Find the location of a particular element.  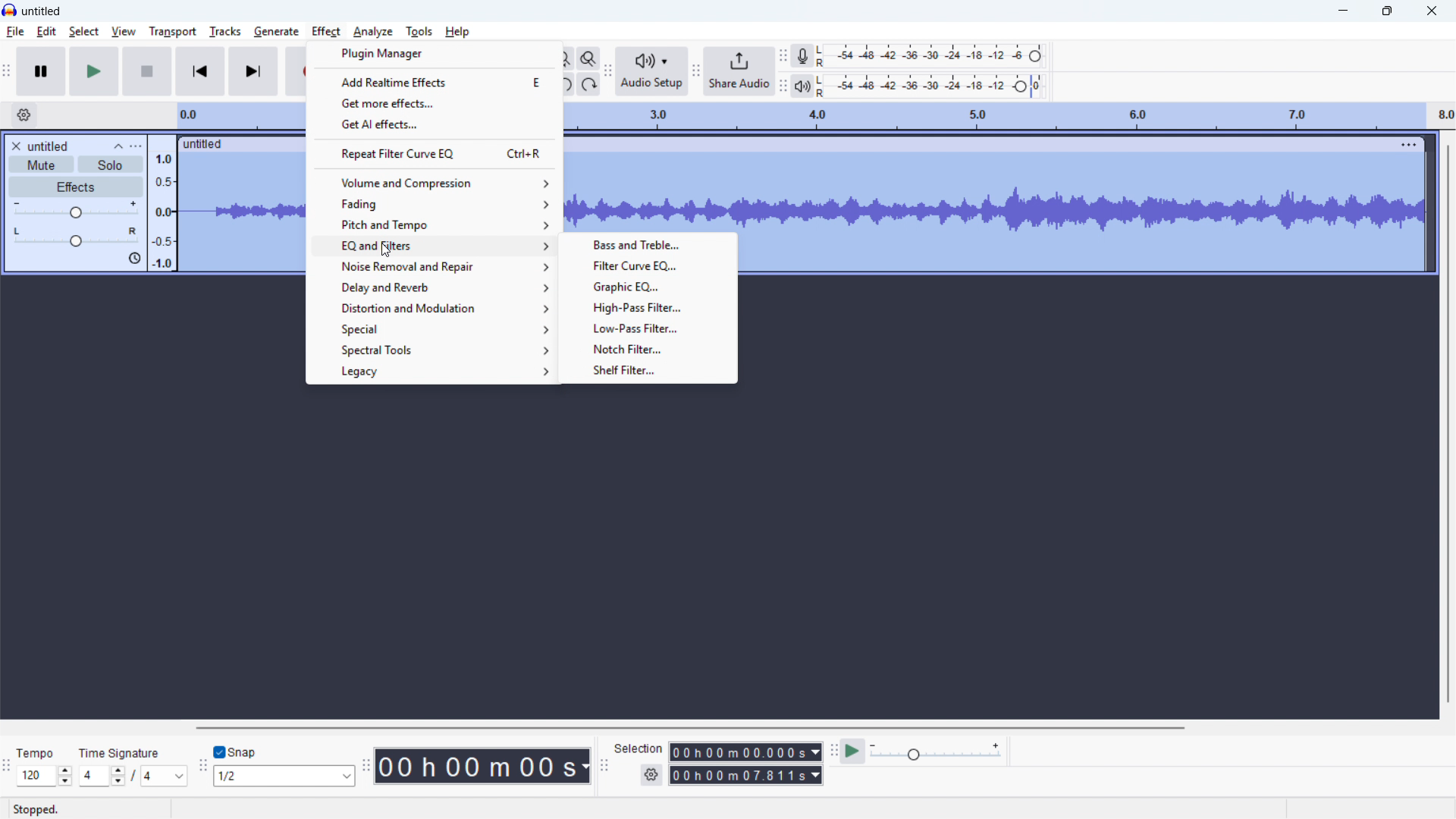

Playback speed  is located at coordinates (935, 752).